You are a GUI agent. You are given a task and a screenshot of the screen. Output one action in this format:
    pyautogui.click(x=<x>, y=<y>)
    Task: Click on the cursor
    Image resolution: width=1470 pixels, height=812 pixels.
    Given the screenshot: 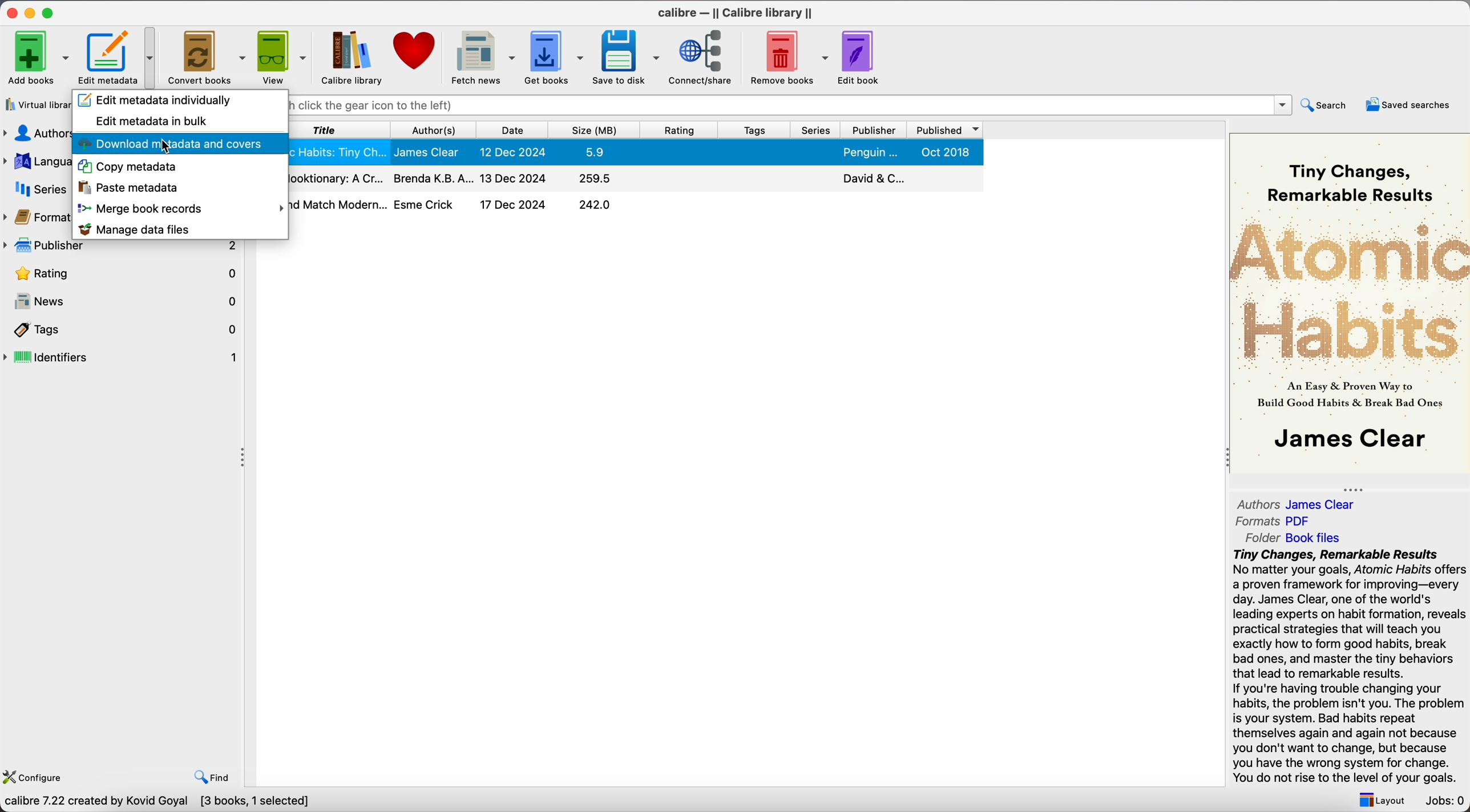 What is the action you would take?
    pyautogui.click(x=167, y=145)
    